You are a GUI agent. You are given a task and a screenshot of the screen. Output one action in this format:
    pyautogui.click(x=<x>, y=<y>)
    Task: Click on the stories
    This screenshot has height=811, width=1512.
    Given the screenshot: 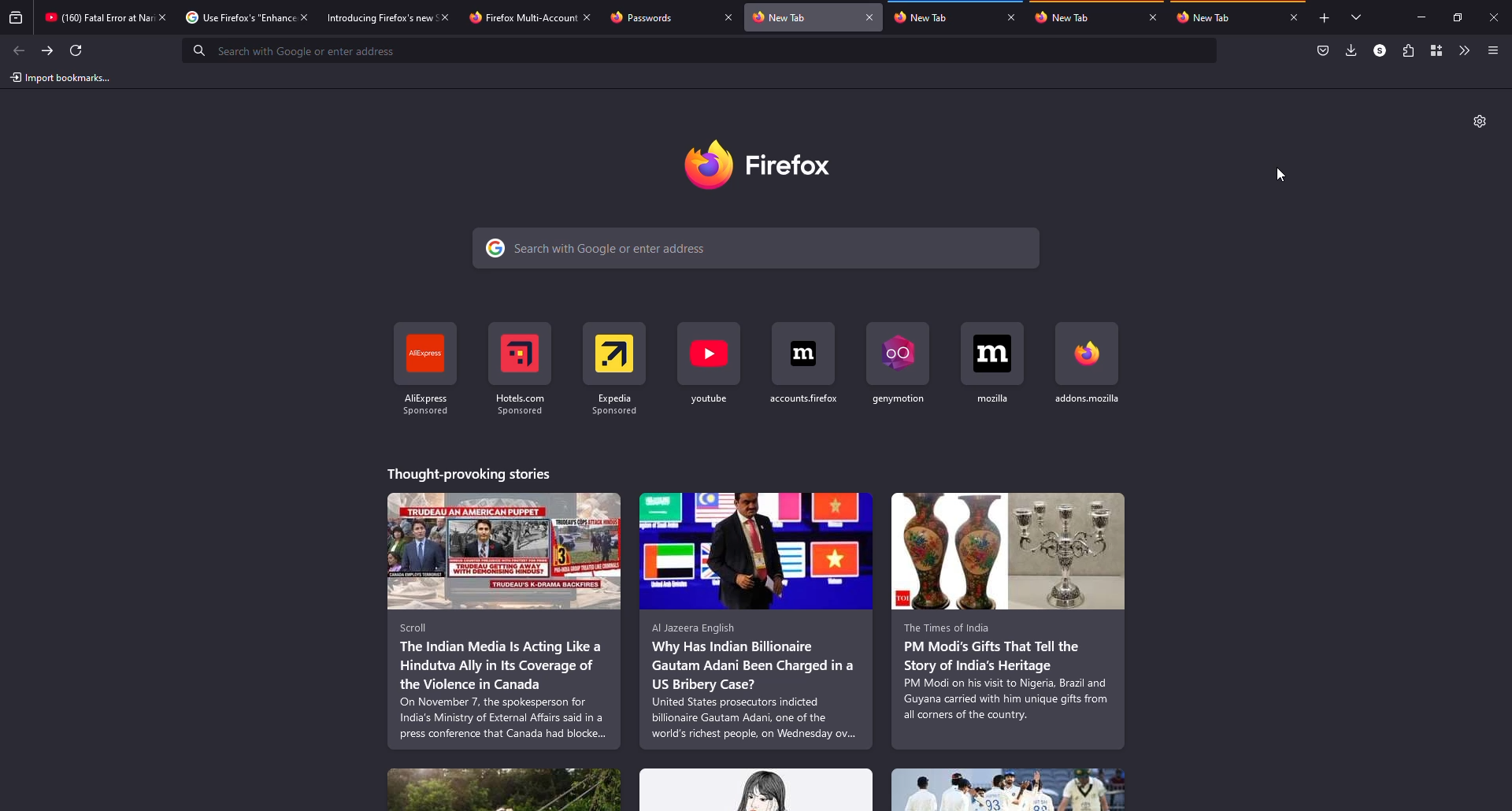 What is the action you would take?
    pyautogui.click(x=1010, y=789)
    